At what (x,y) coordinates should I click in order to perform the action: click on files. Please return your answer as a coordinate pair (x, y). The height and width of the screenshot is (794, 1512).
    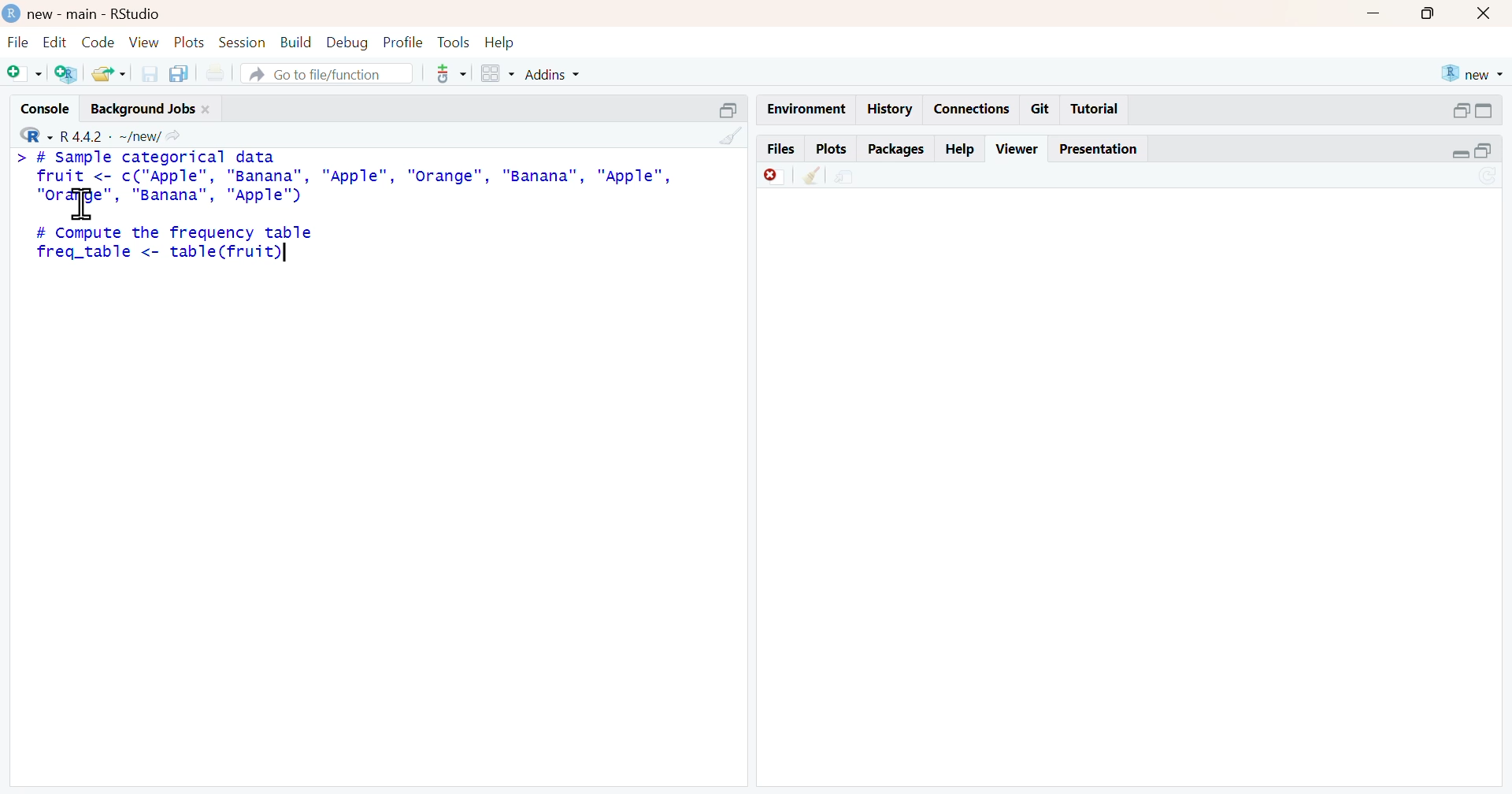
    Looking at the image, I should click on (782, 149).